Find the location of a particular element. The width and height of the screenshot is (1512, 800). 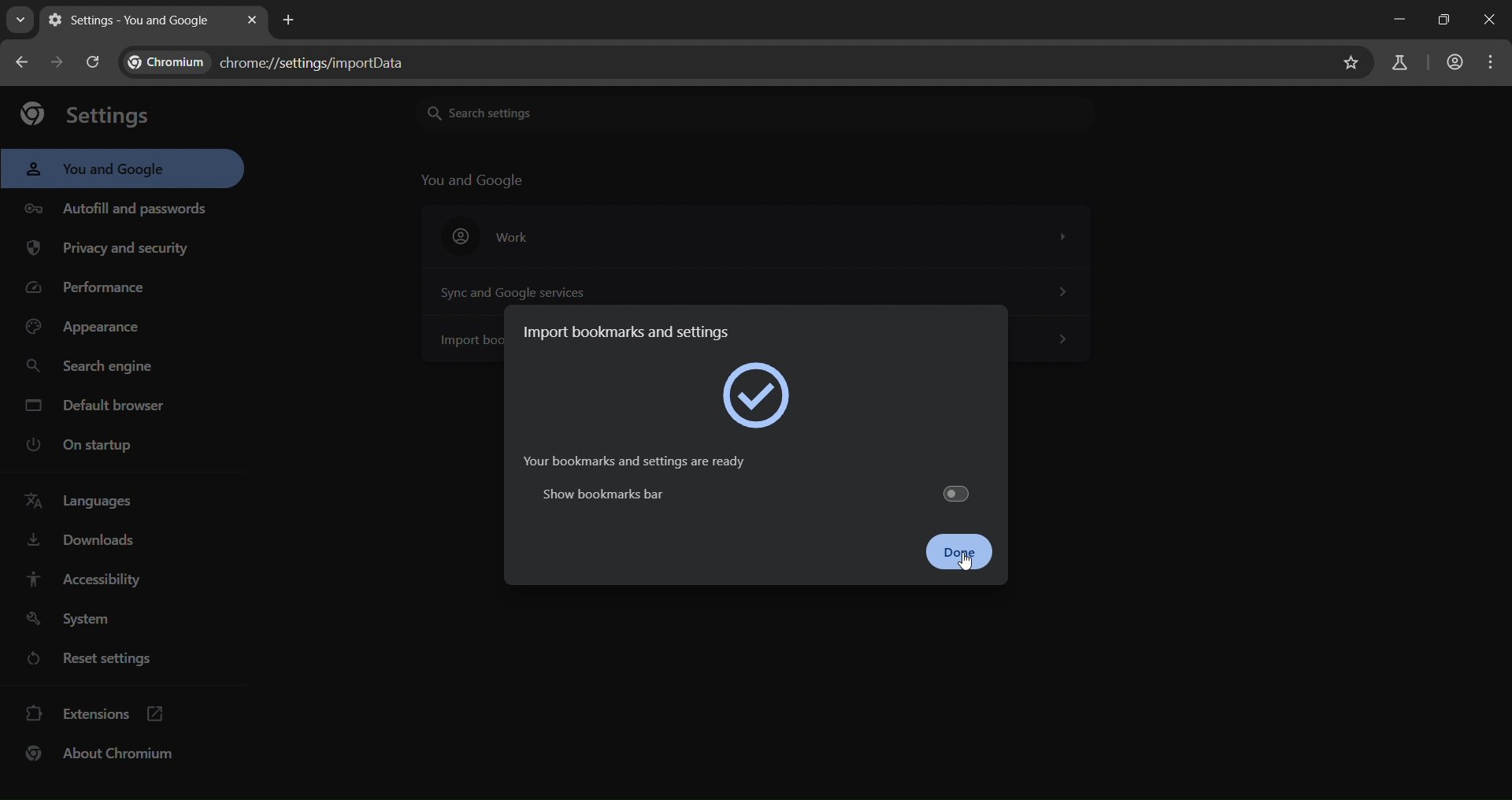

Import bookmarks and settings is located at coordinates (635, 329).